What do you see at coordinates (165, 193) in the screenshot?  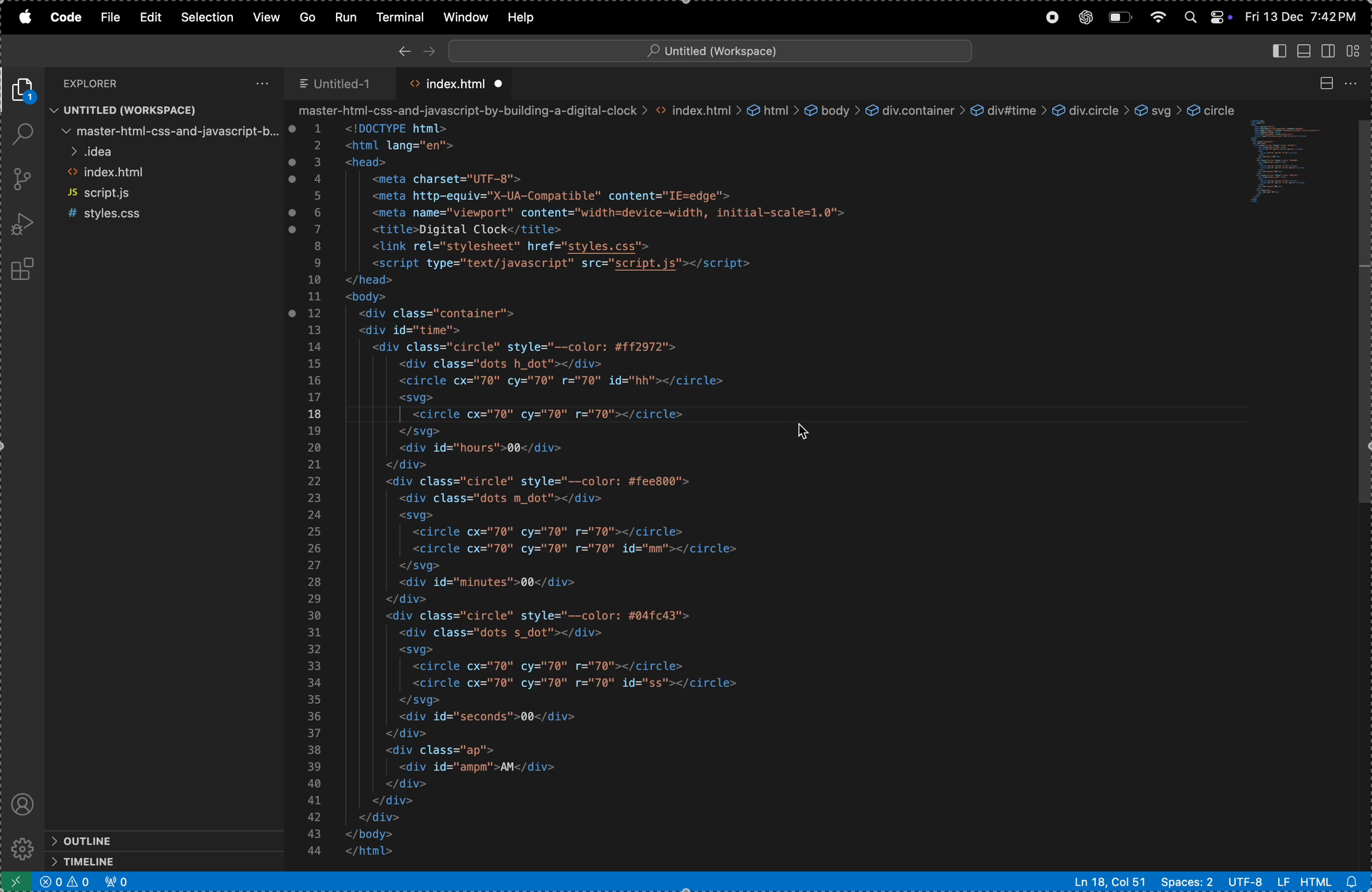 I see `script.js` at bounding box center [165, 193].